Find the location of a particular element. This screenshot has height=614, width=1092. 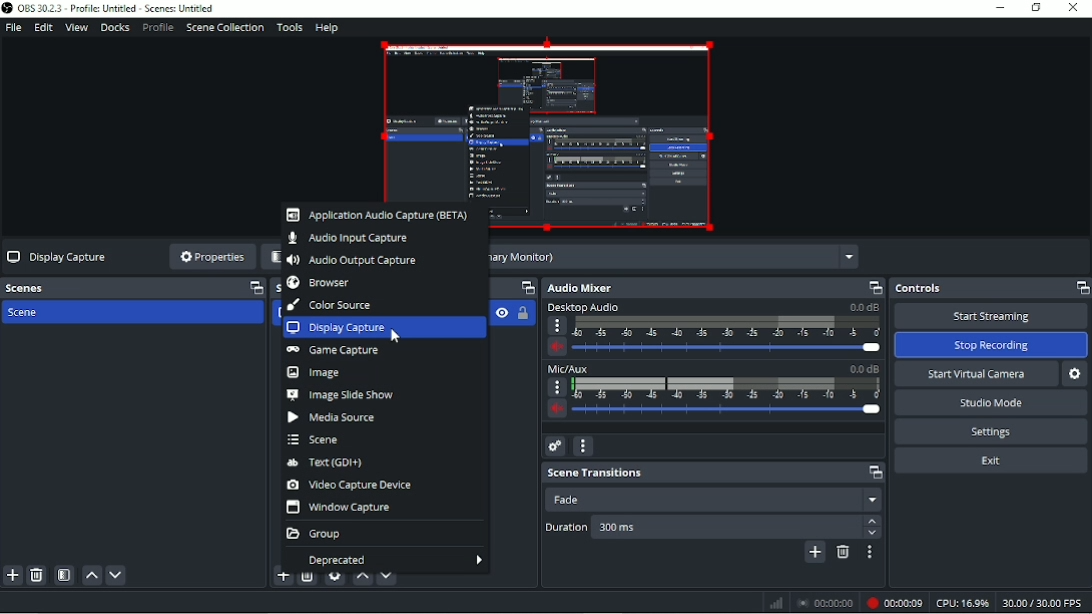

Text is located at coordinates (330, 463).